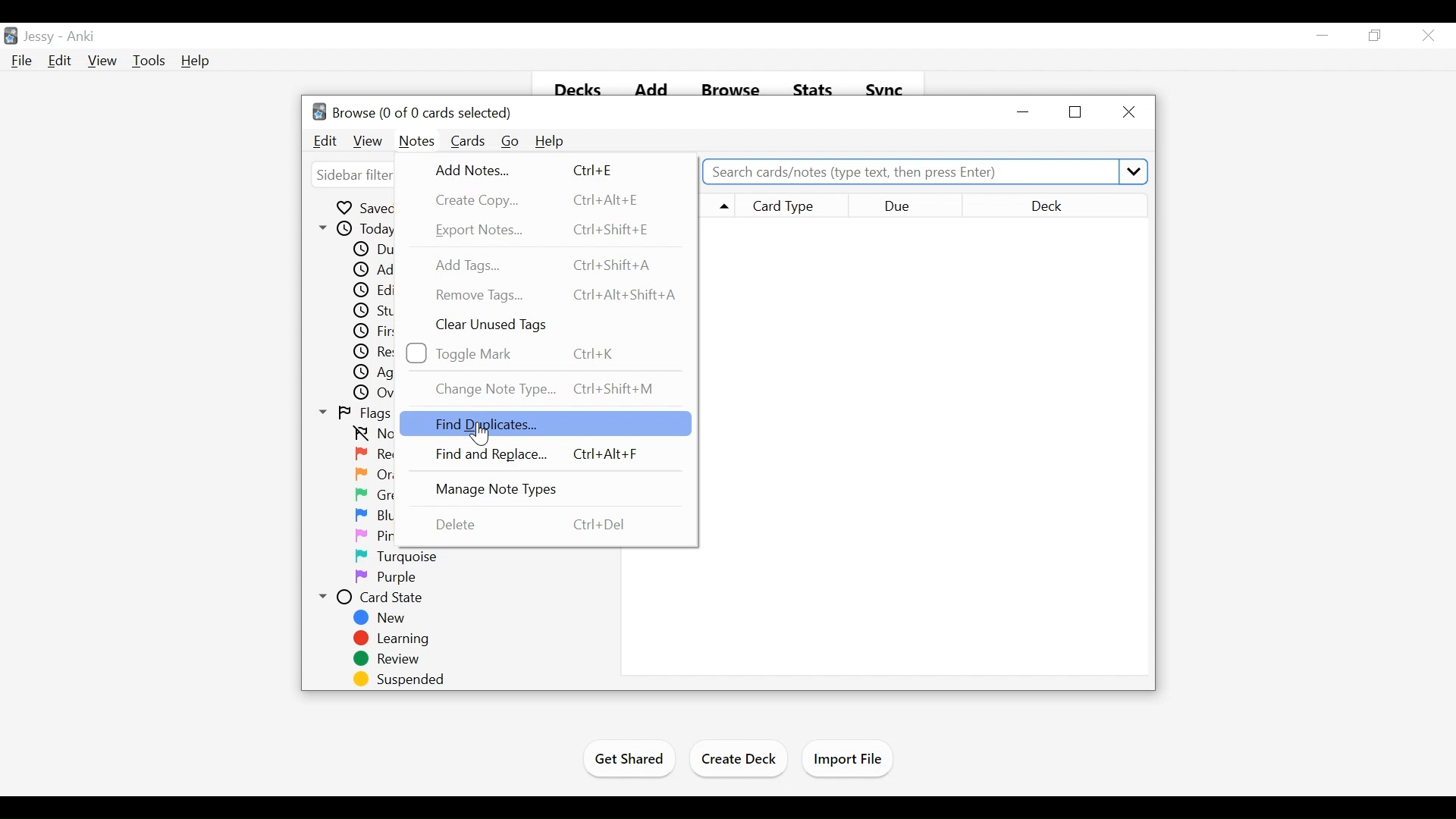  I want to click on User Profile, so click(39, 37).